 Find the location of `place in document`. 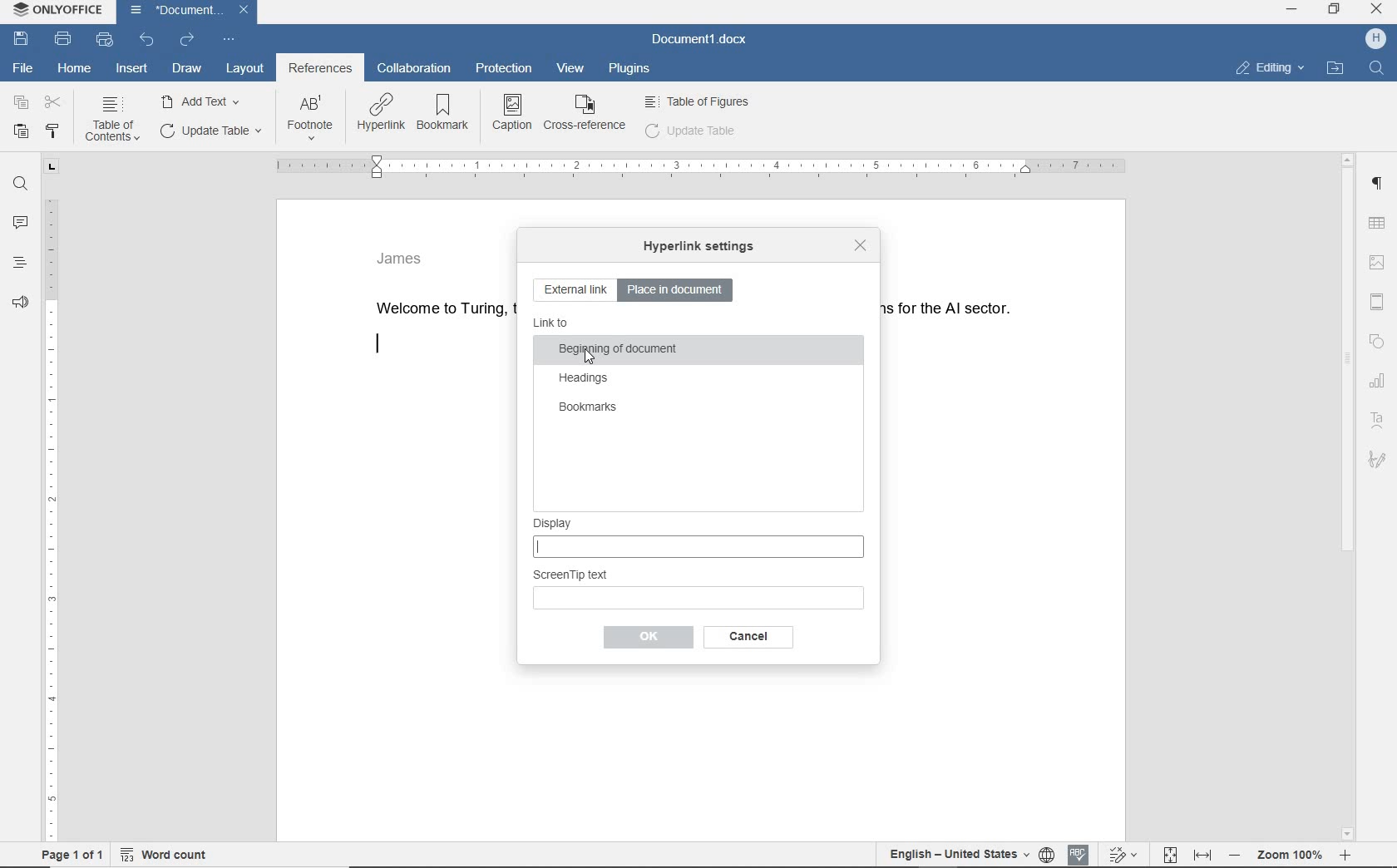

place in document is located at coordinates (679, 289).